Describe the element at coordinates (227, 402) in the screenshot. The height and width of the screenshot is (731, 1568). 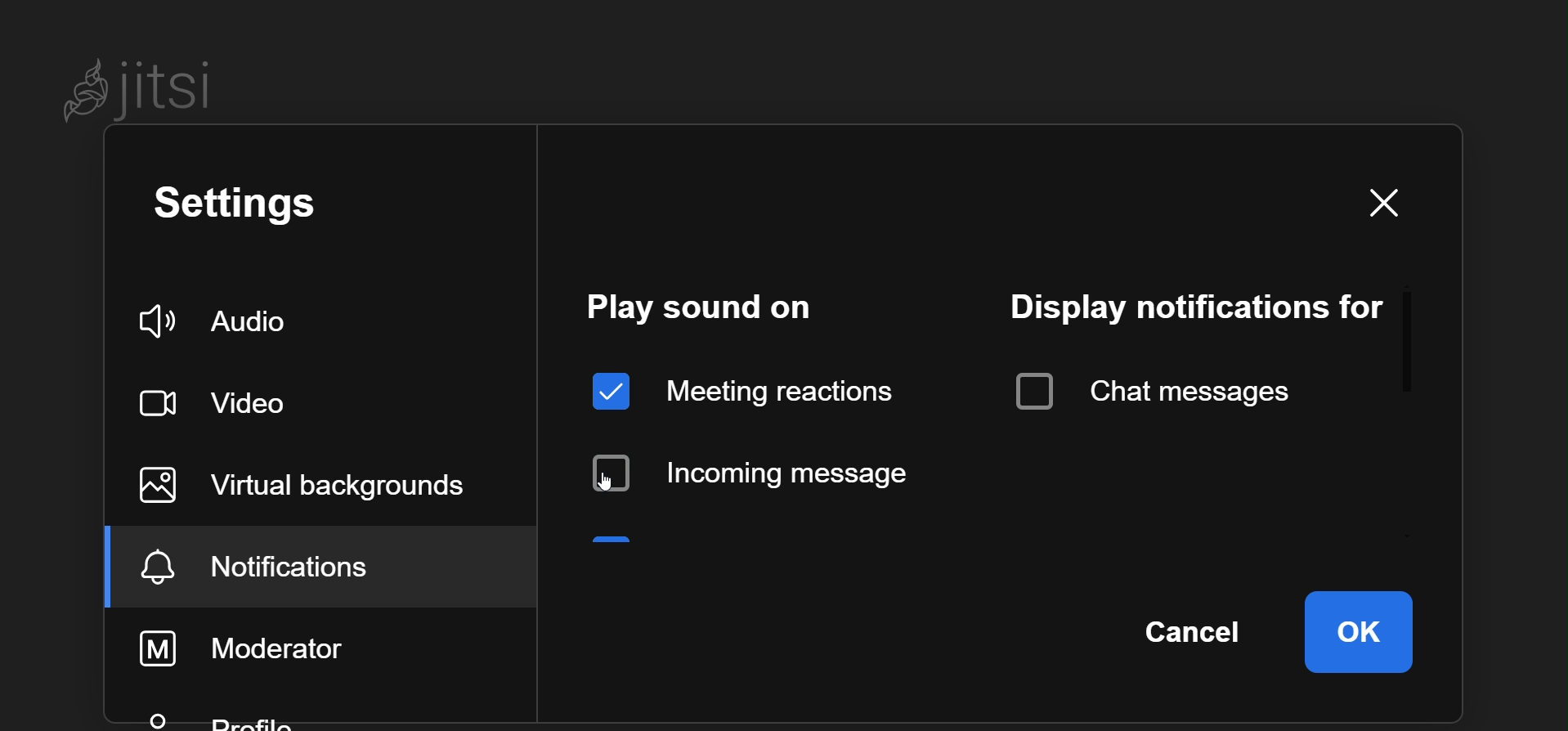
I see `video` at that location.